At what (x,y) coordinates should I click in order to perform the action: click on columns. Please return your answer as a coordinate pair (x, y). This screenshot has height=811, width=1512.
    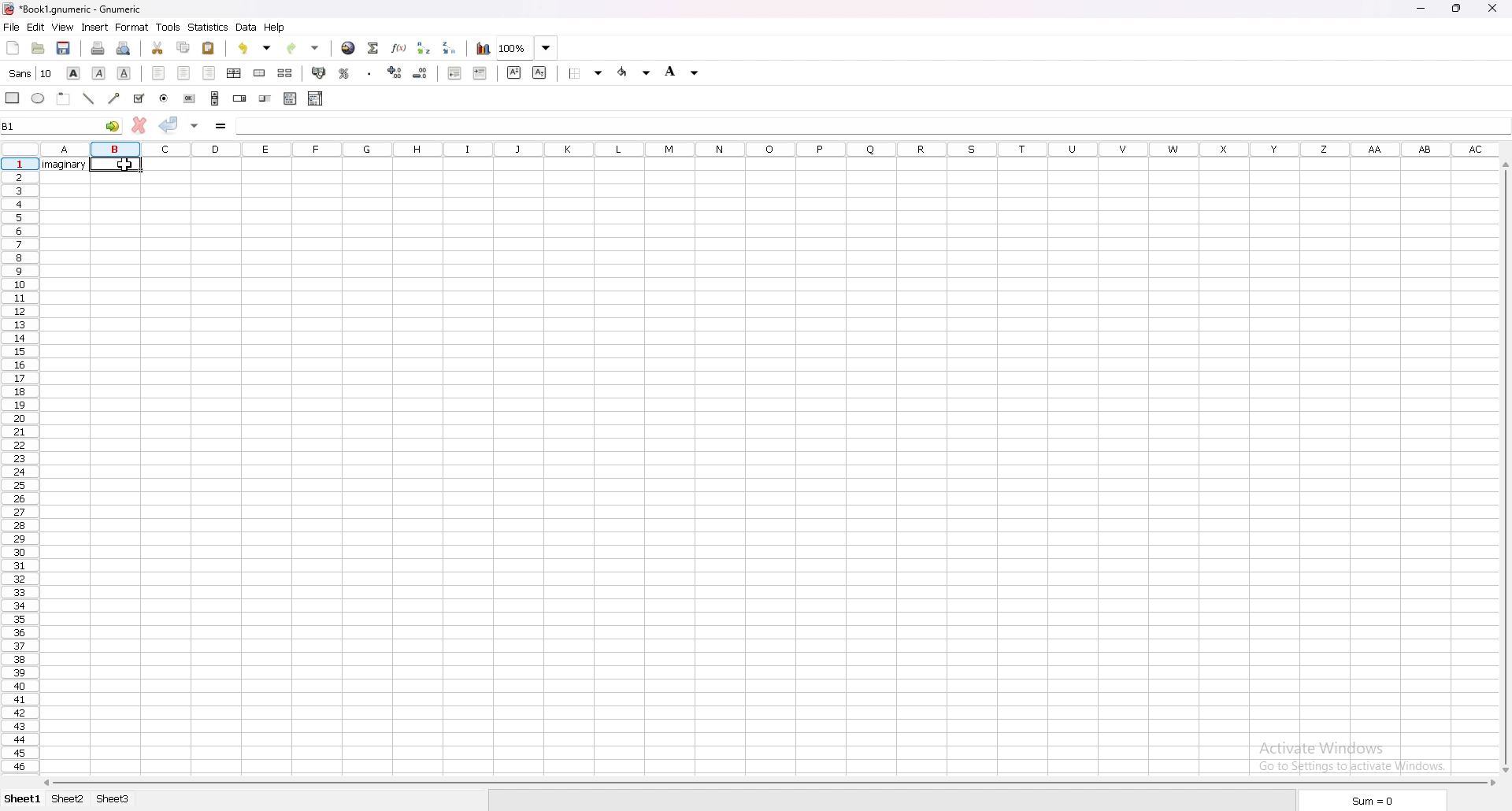
    Looking at the image, I should click on (765, 148).